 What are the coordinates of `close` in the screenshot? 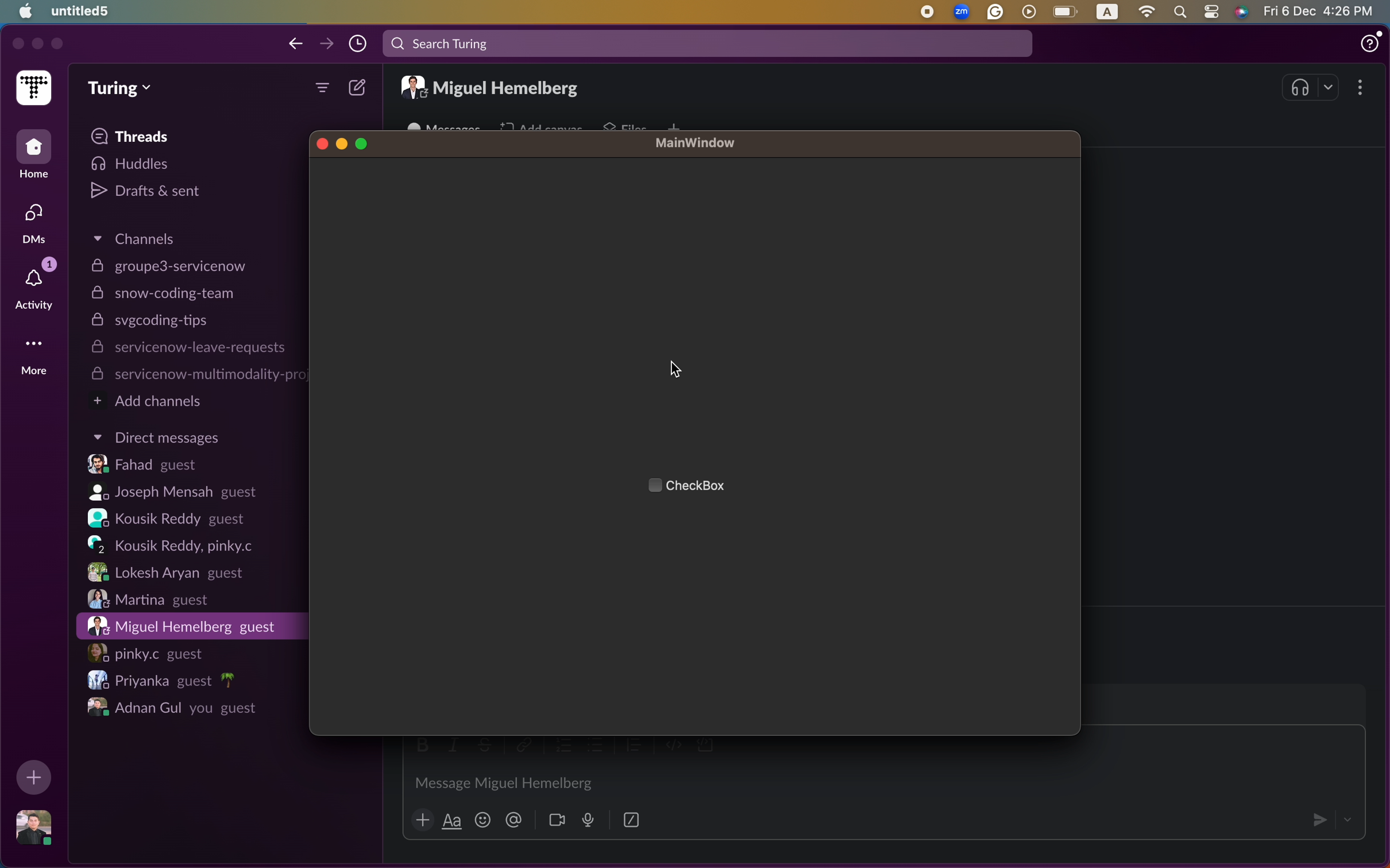 It's located at (321, 143).